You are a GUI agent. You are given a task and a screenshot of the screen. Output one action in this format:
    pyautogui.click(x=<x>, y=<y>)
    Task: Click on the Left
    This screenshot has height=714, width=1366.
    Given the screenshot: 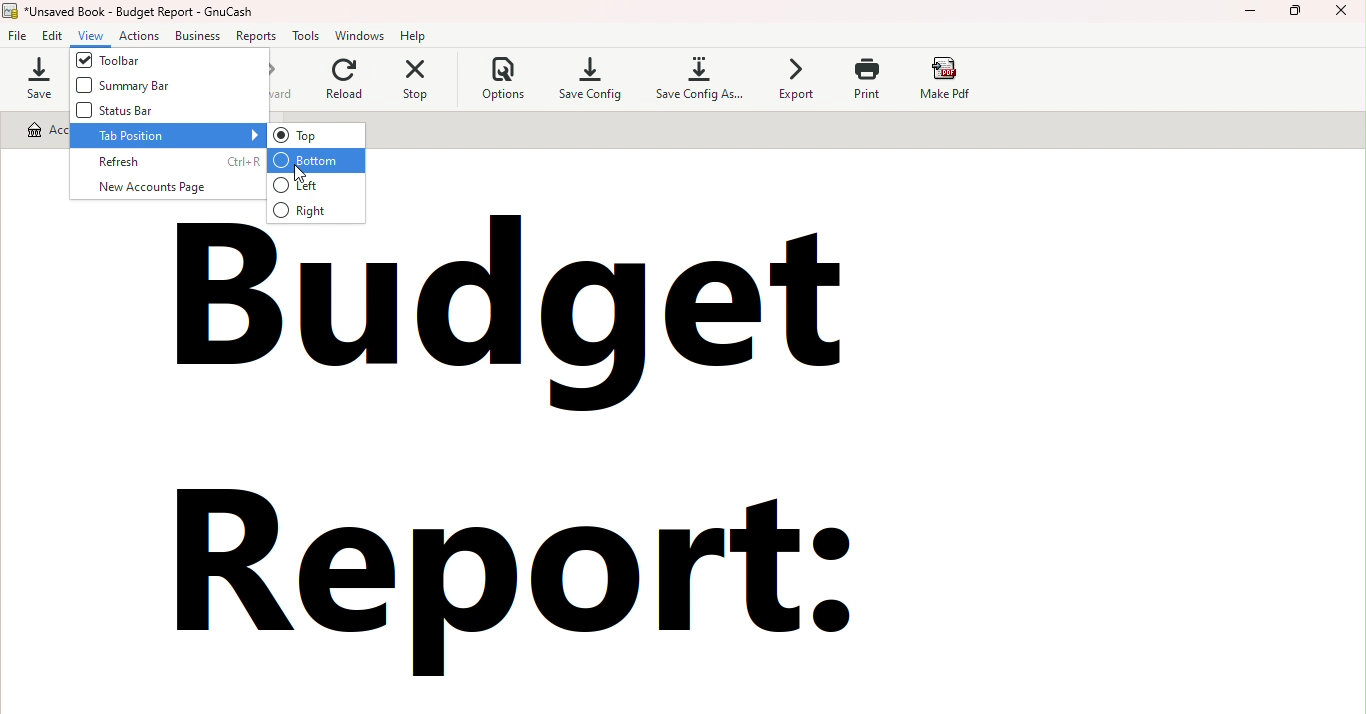 What is the action you would take?
    pyautogui.click(x=315, y=185)
    